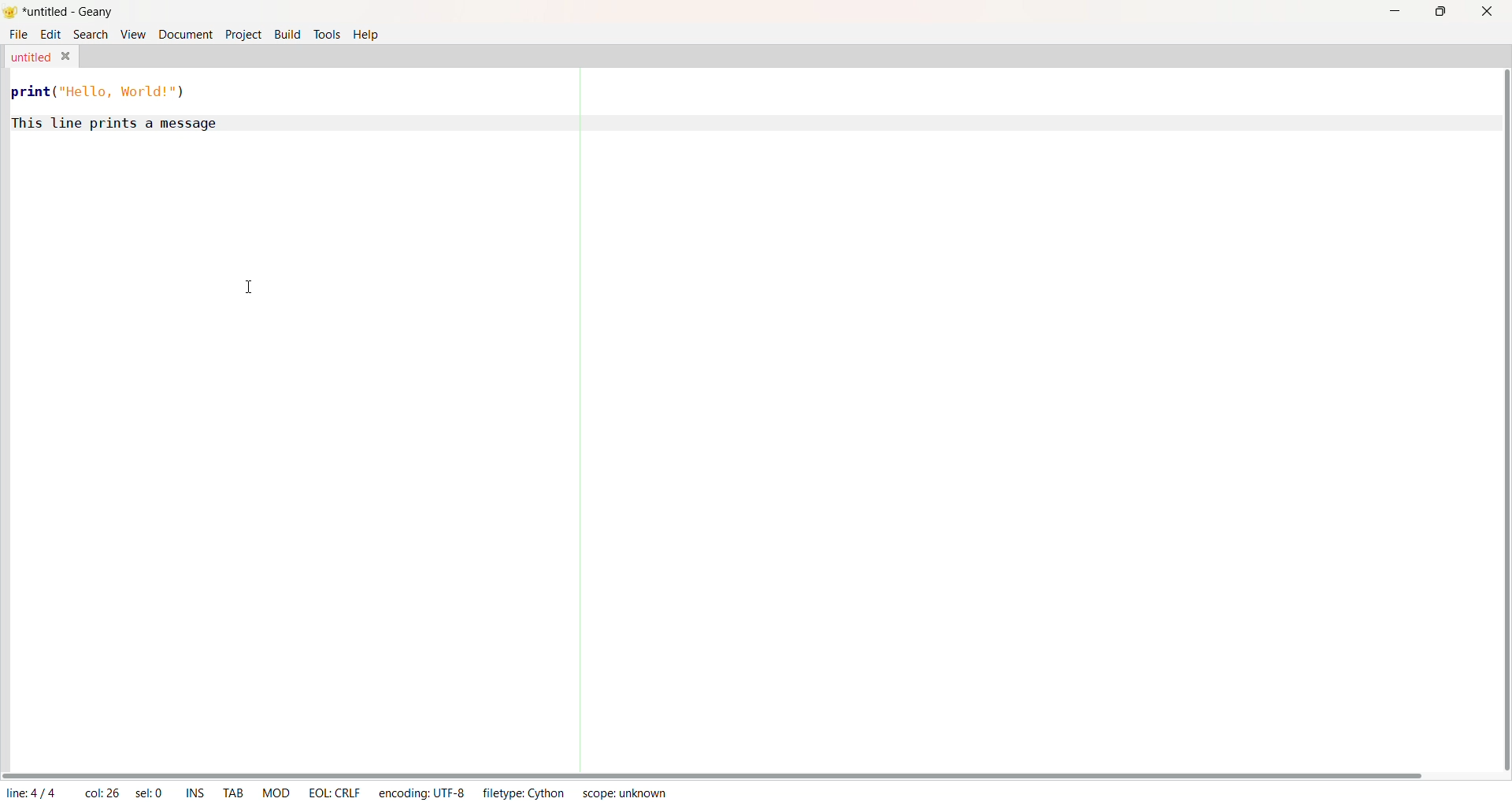 This screenshot has height=802, width=1512. What do you see at coordinates (68, 55) in the screenshot?
I see `Close` at bounding box center [68, 55].